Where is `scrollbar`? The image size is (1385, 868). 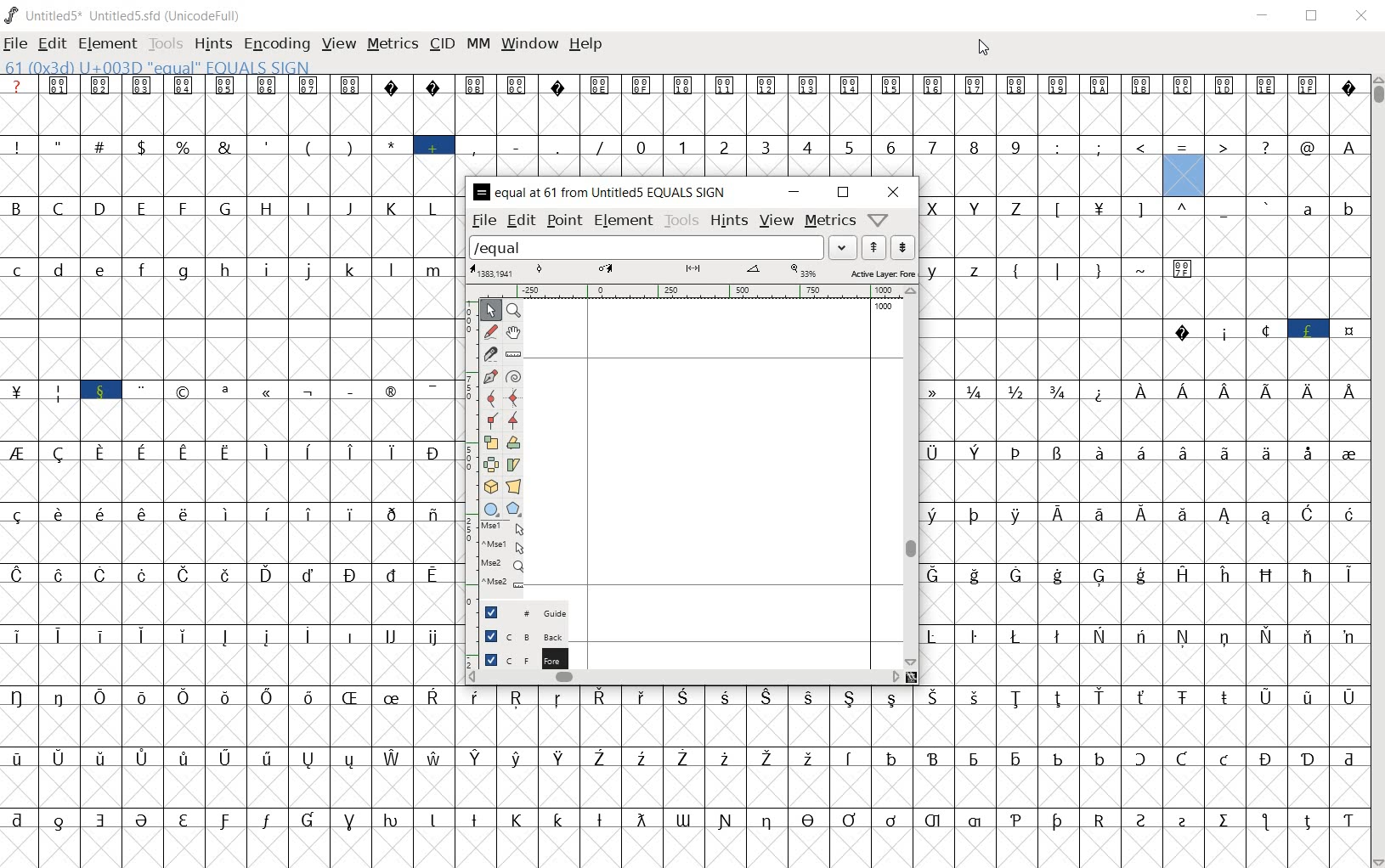
scrollbar is located at coordinates (911, 476).